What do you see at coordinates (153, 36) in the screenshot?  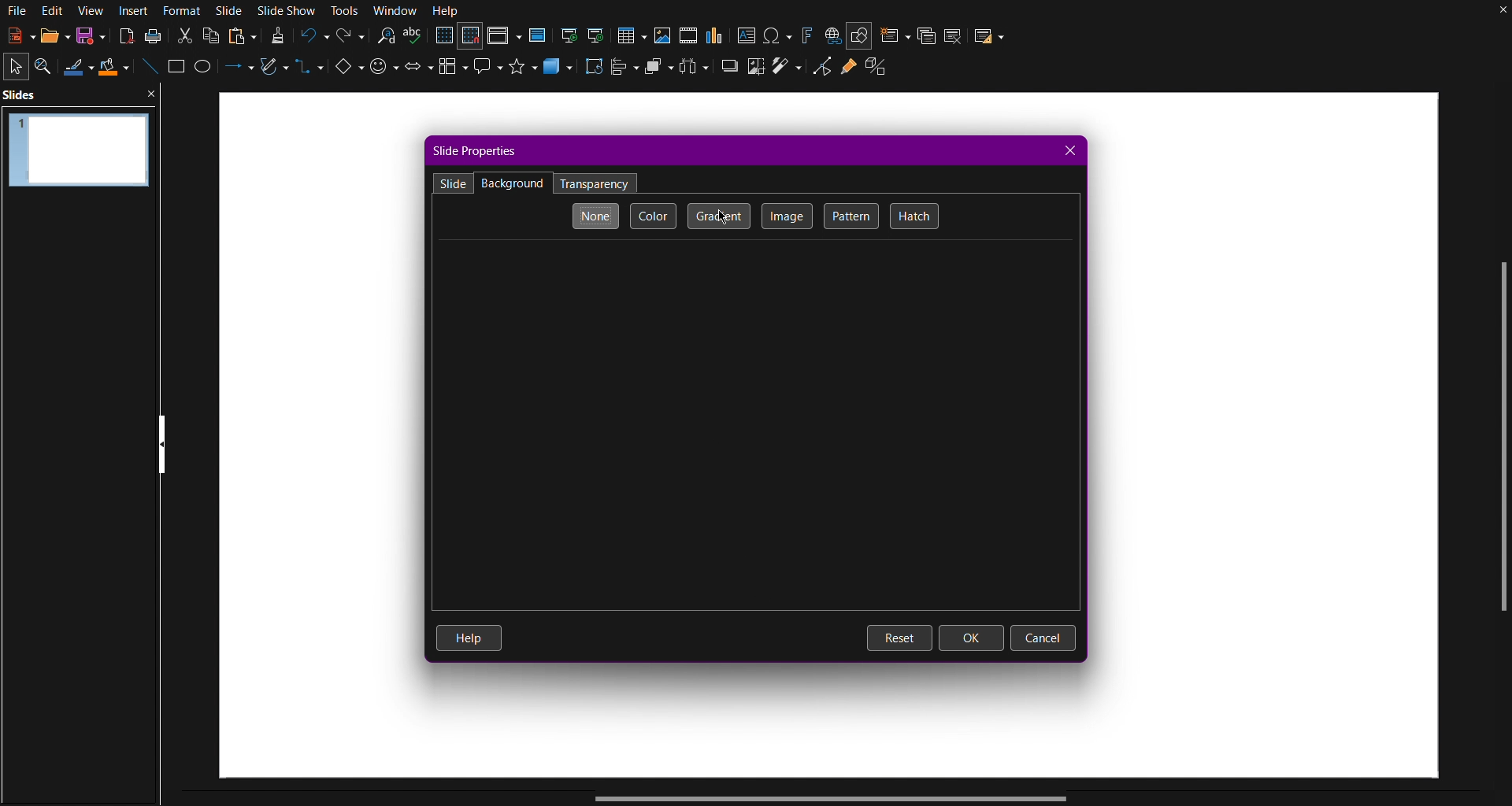 I see `Print` at bounding box center [153, 36].